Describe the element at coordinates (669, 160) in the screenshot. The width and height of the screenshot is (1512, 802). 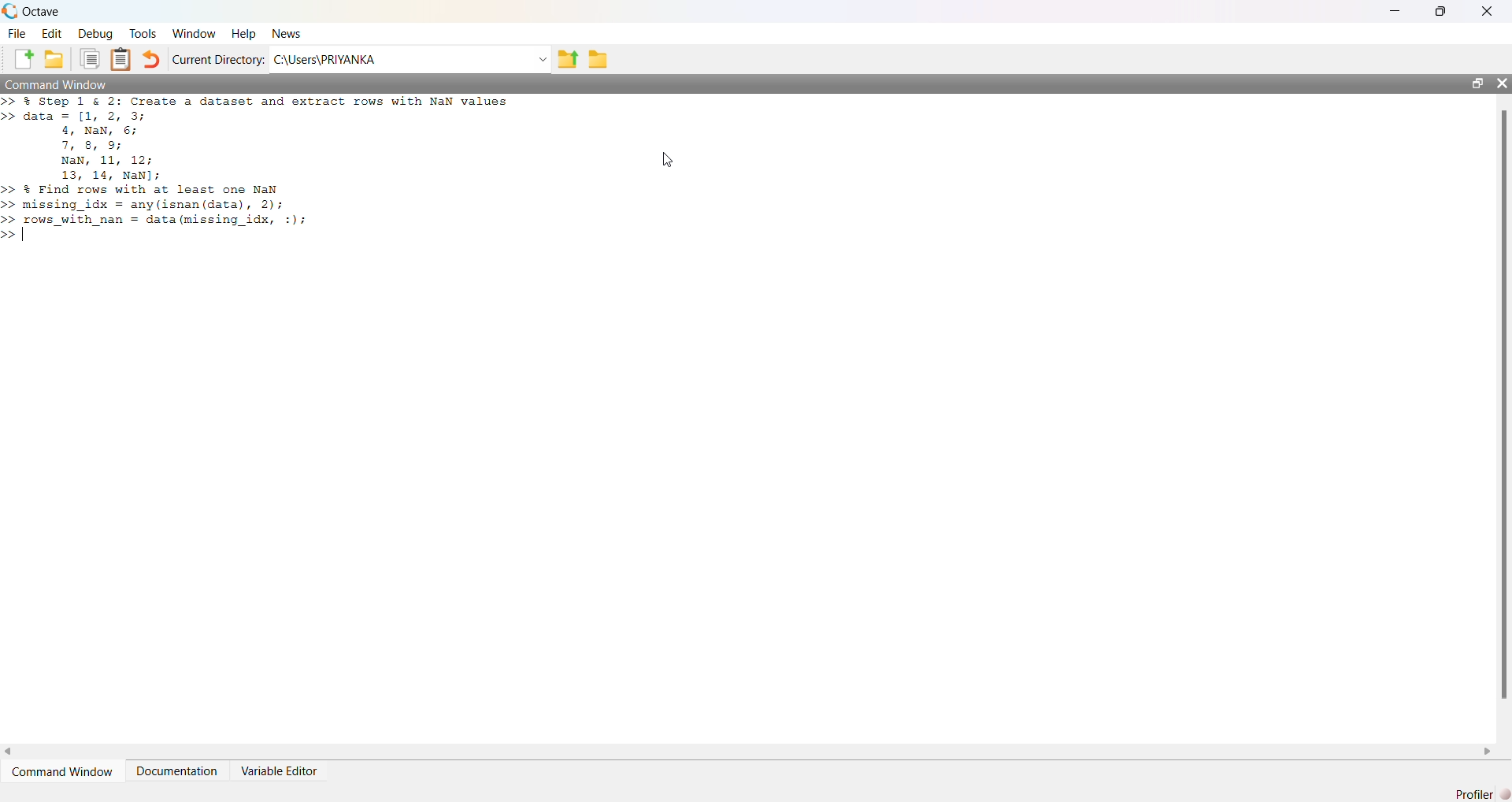
I see `cursor` at that location.